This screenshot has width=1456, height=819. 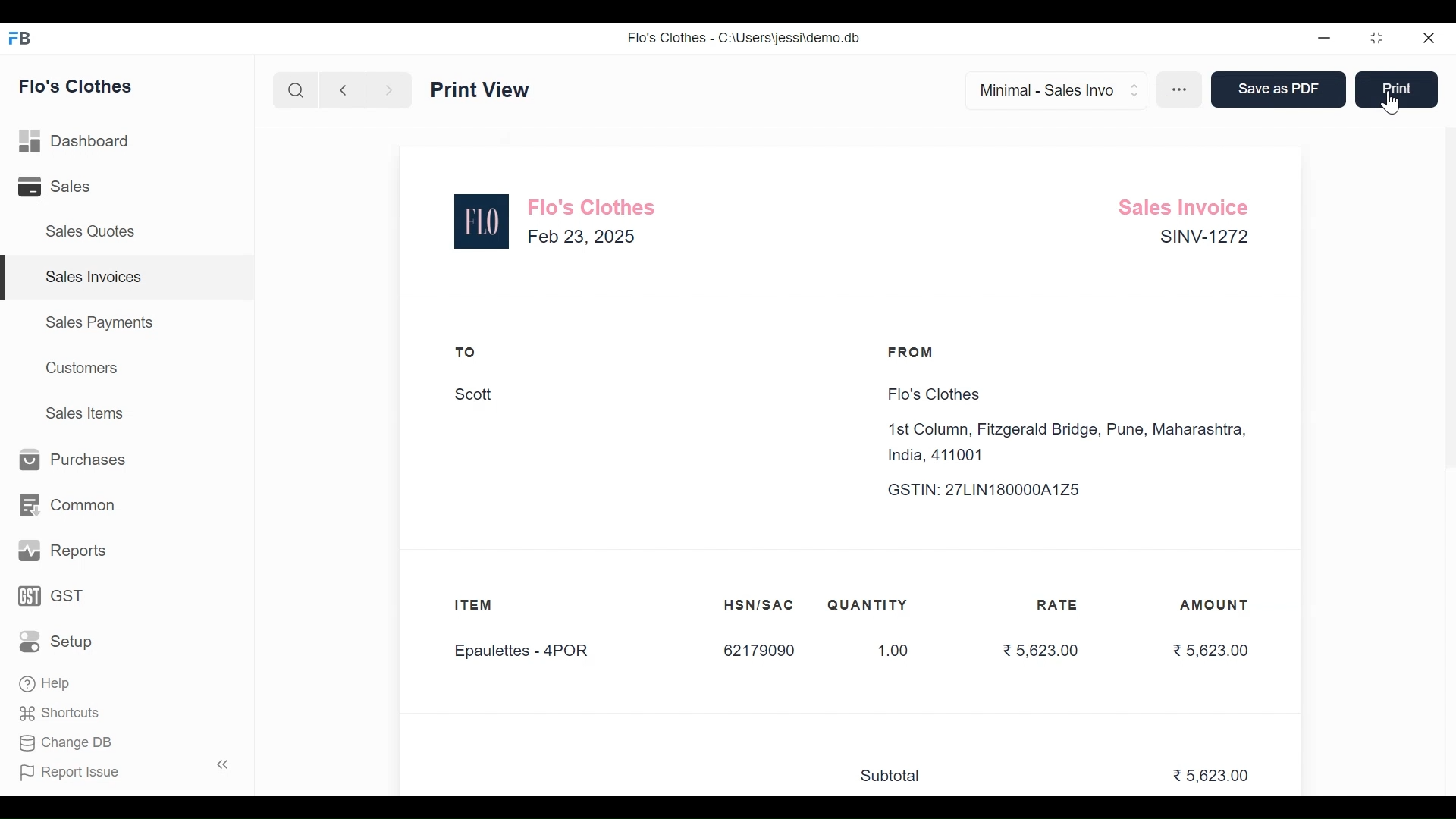 I want to click on Sales Invoices, so click(x=128, y=278).